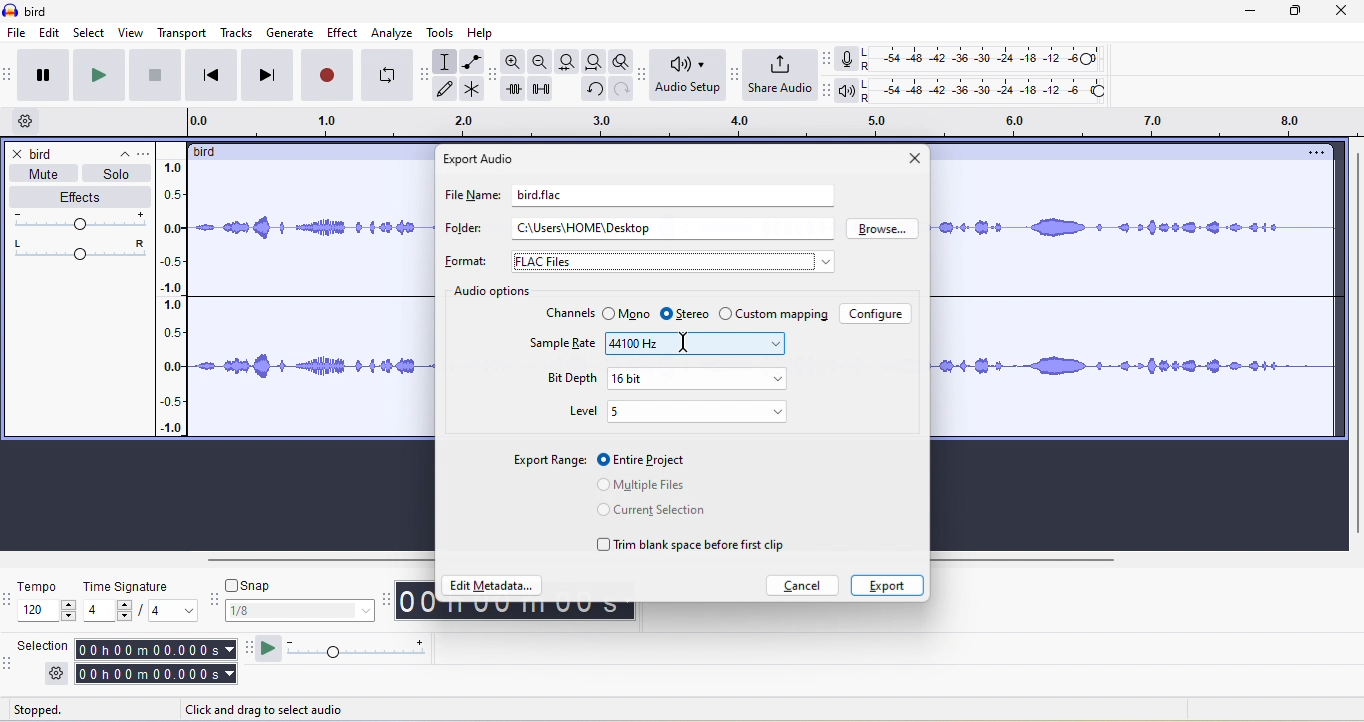  Describe the element at coordinates (474, 91) in the screenshot. I see `multi tool` at that location.